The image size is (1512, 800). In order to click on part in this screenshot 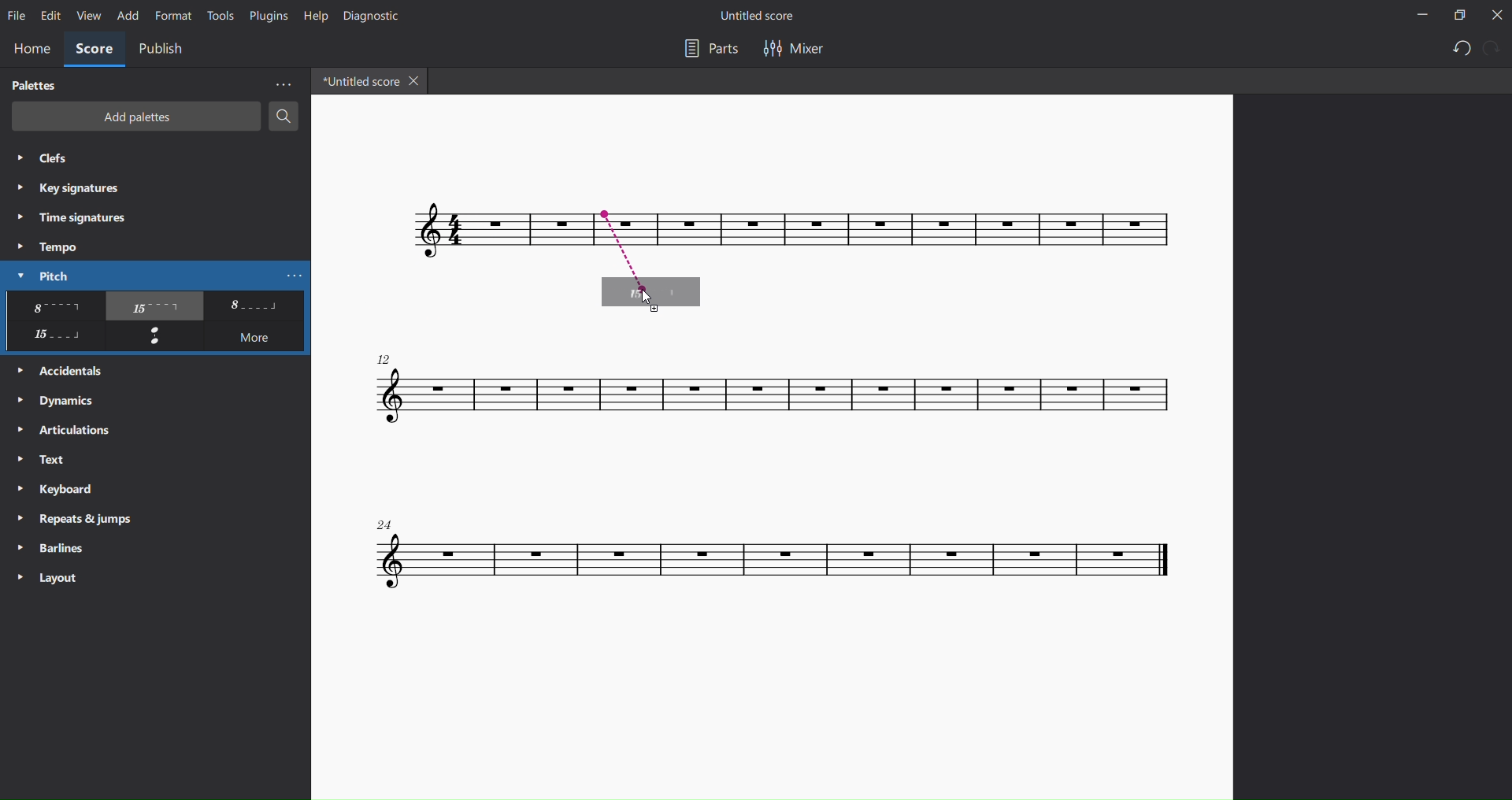, I will do `click(710, 52)`.